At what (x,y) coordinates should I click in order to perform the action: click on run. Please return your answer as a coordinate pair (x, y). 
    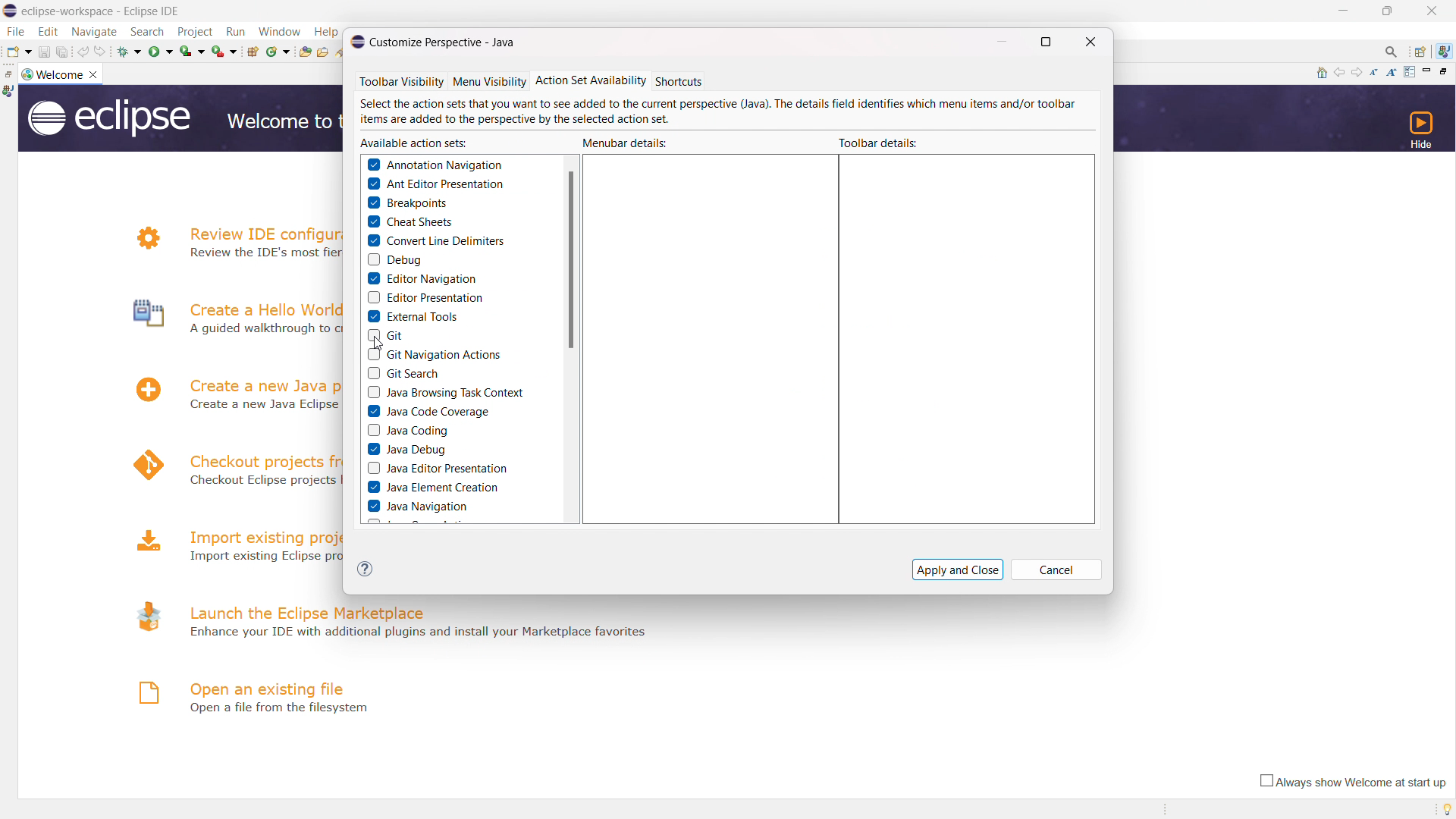
    Looking at the image, I should click on (159, 52).